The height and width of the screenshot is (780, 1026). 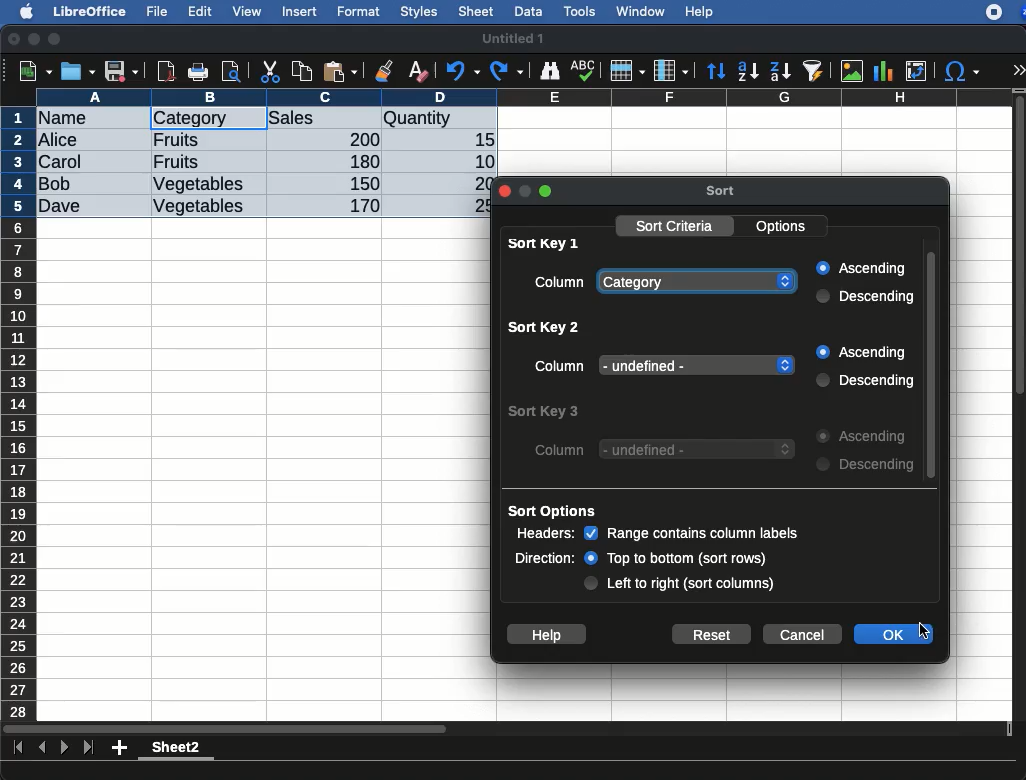 I want to click on copy, so click(x=304, y=71).